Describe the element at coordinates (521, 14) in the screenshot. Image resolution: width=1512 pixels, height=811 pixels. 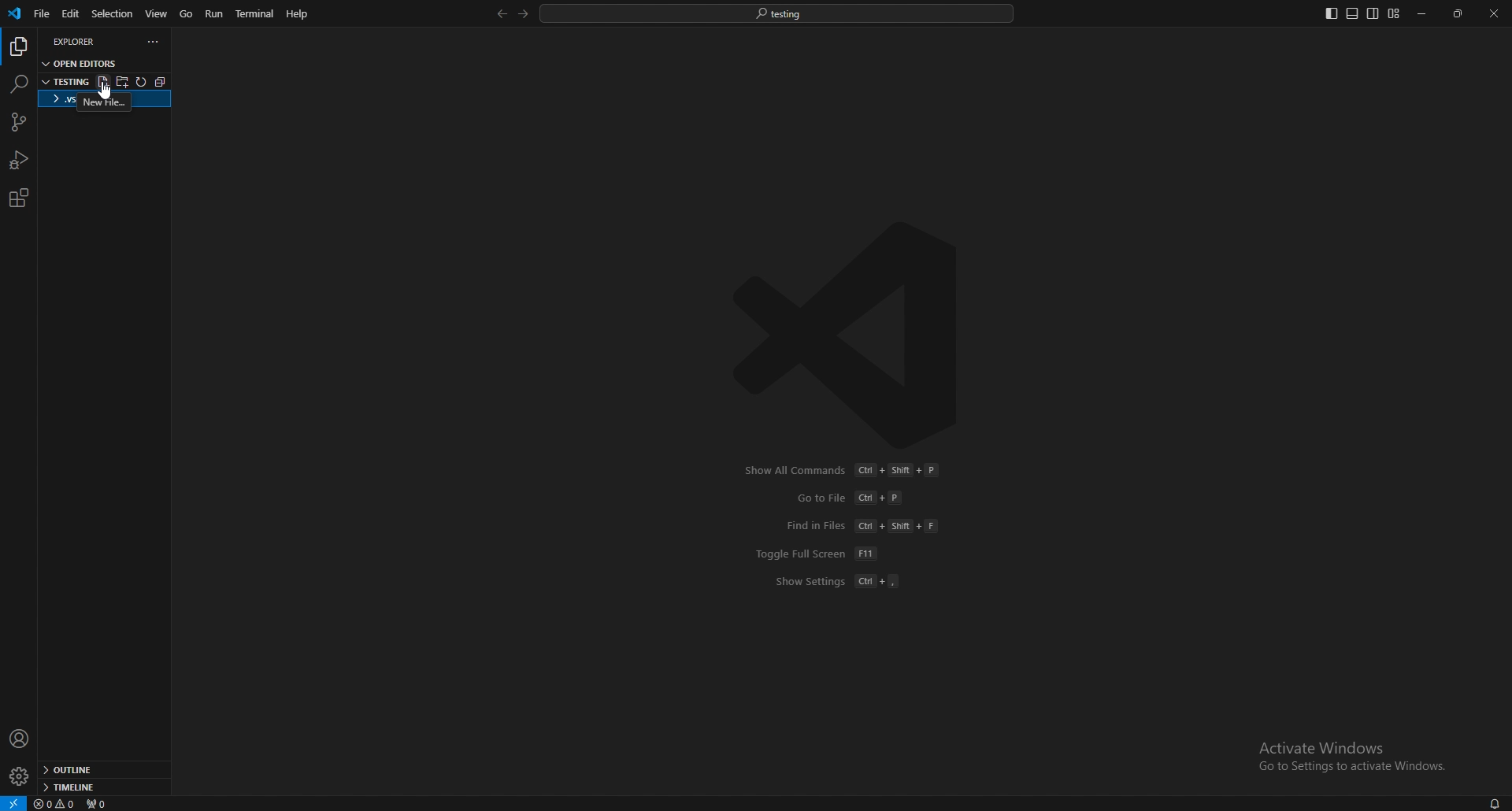
I see `forward` at that location.